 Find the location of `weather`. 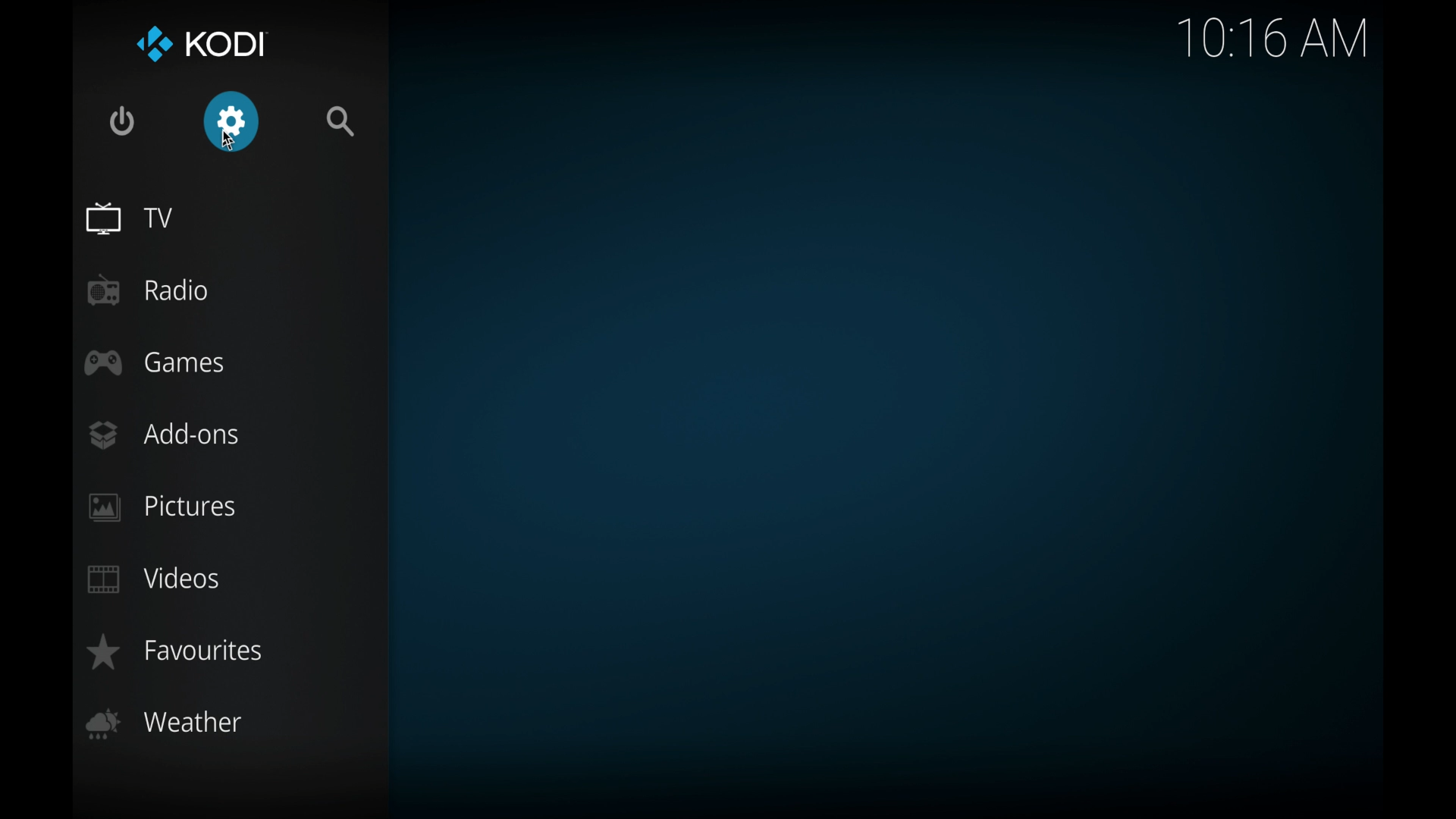

weather is located at coordinates (168, 723).